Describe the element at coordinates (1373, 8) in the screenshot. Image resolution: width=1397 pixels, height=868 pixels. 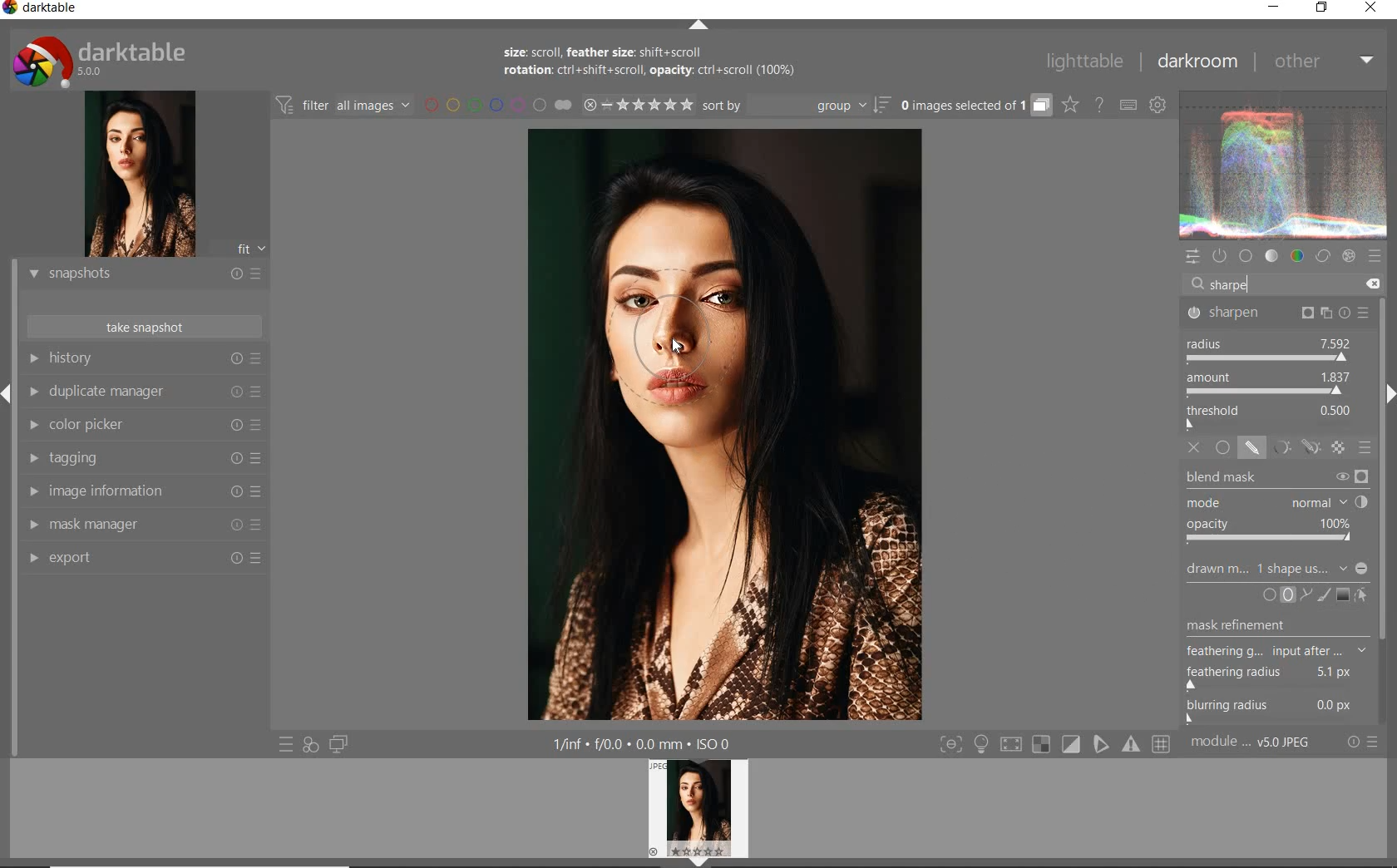
I see `CLOSE` at that location.